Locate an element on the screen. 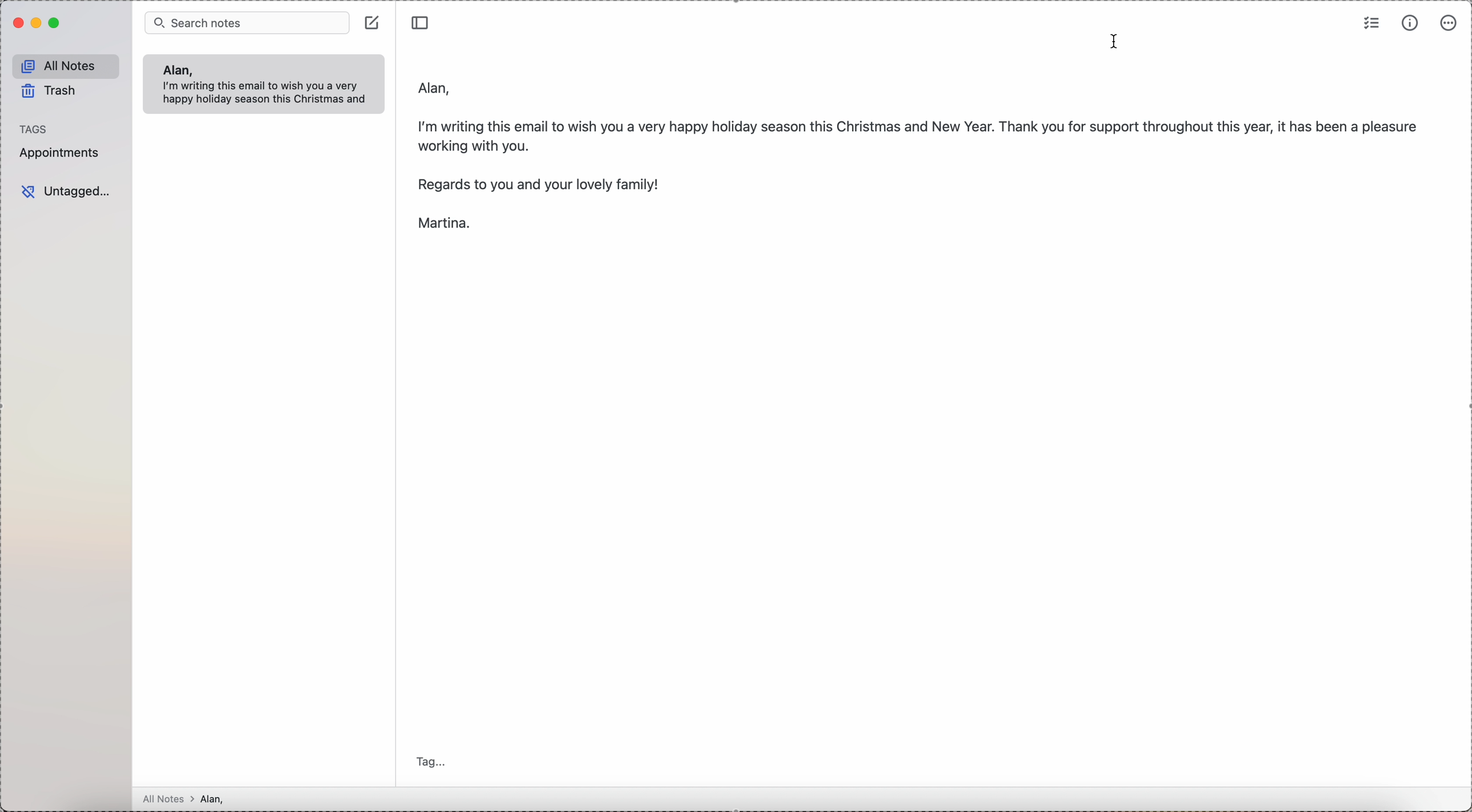 This screenshot has width=1472, height=812. tag is located at coordinates (434, 763).